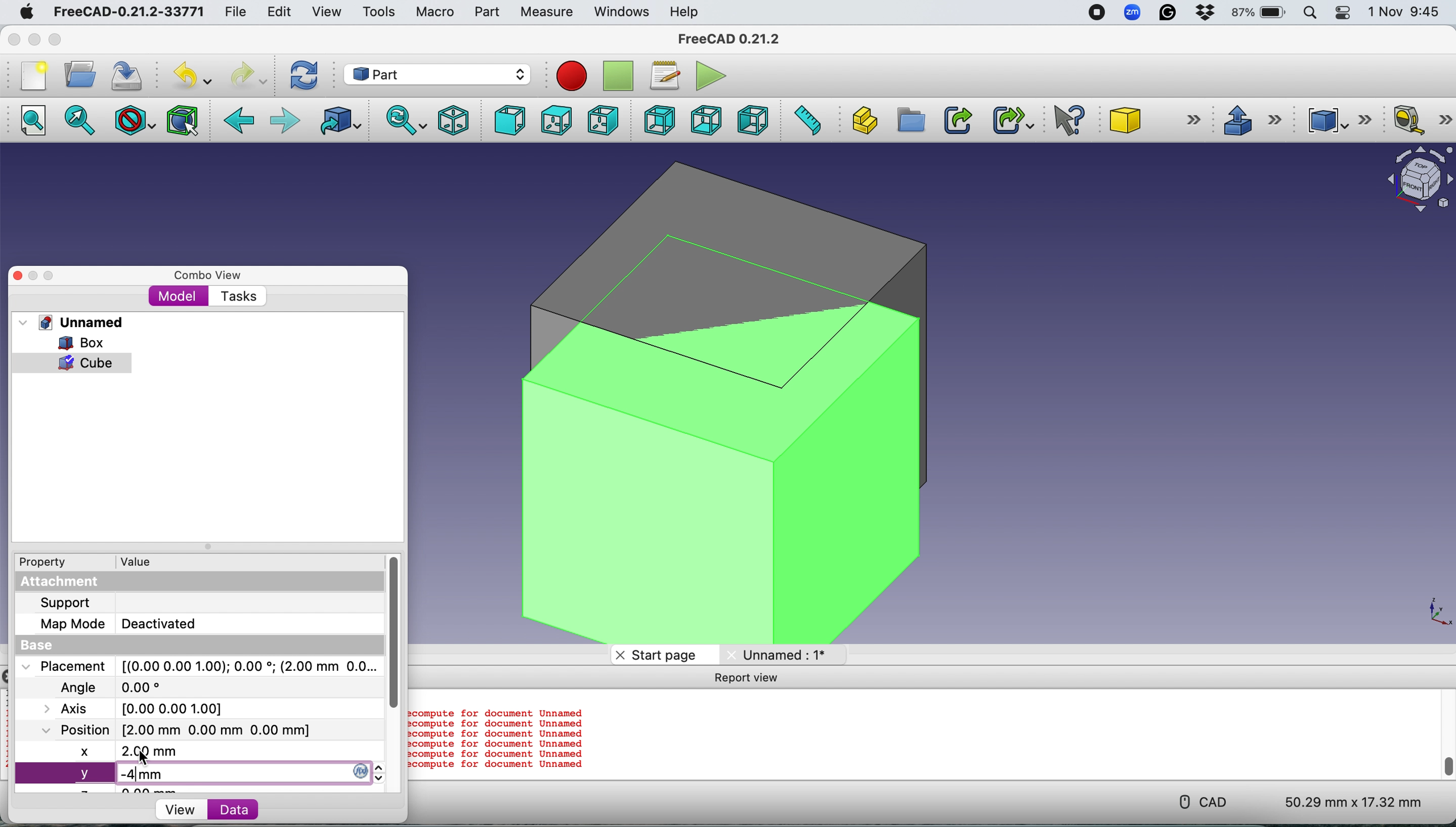 Image resolution: width=1456 pixels, height=827 pixels. What do you see at coordinates (435, 13) in the screenshot?
I see `Macro` at bounding box center [435, 13].